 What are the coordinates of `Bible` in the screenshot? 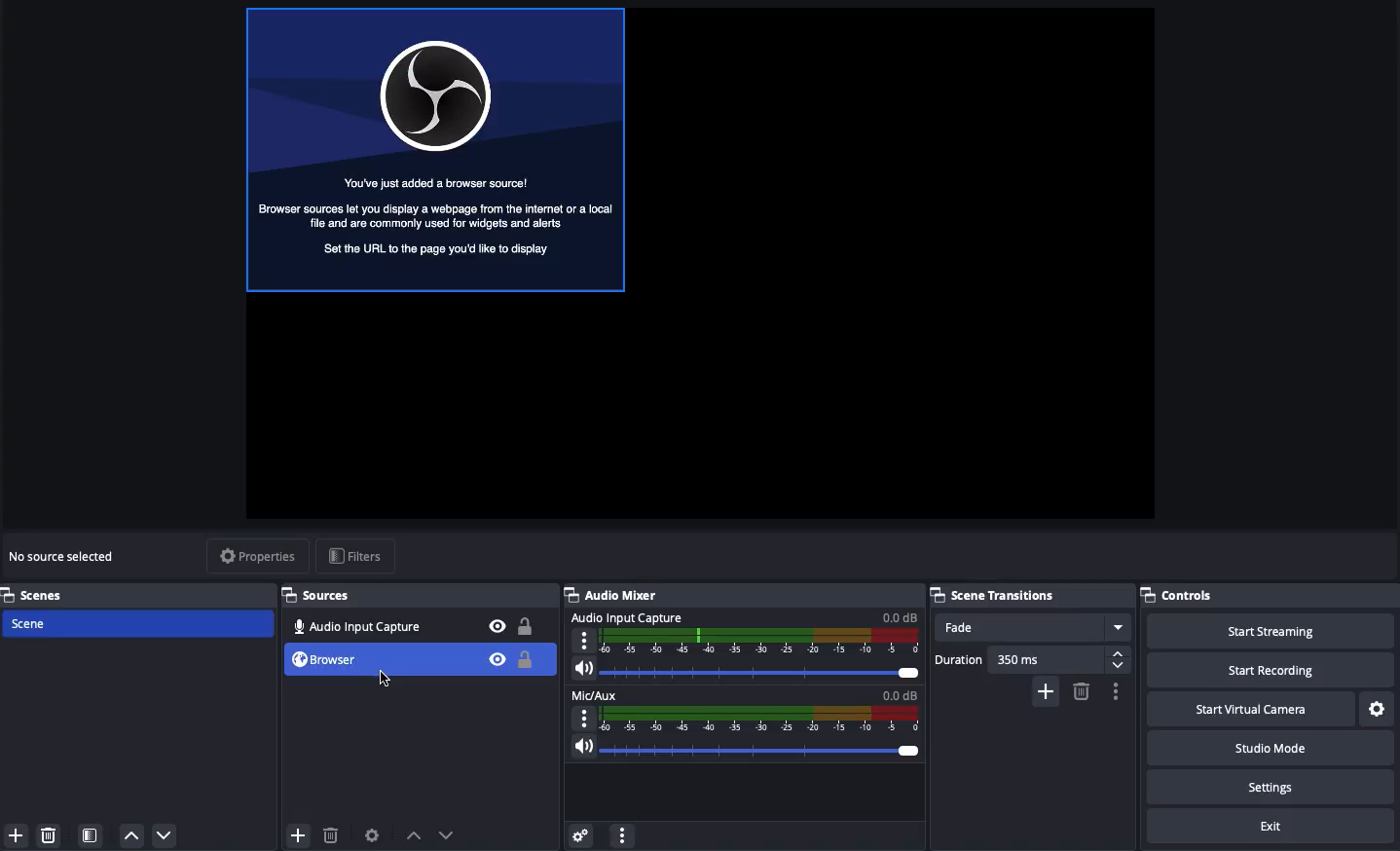 It's located at (497, 644).